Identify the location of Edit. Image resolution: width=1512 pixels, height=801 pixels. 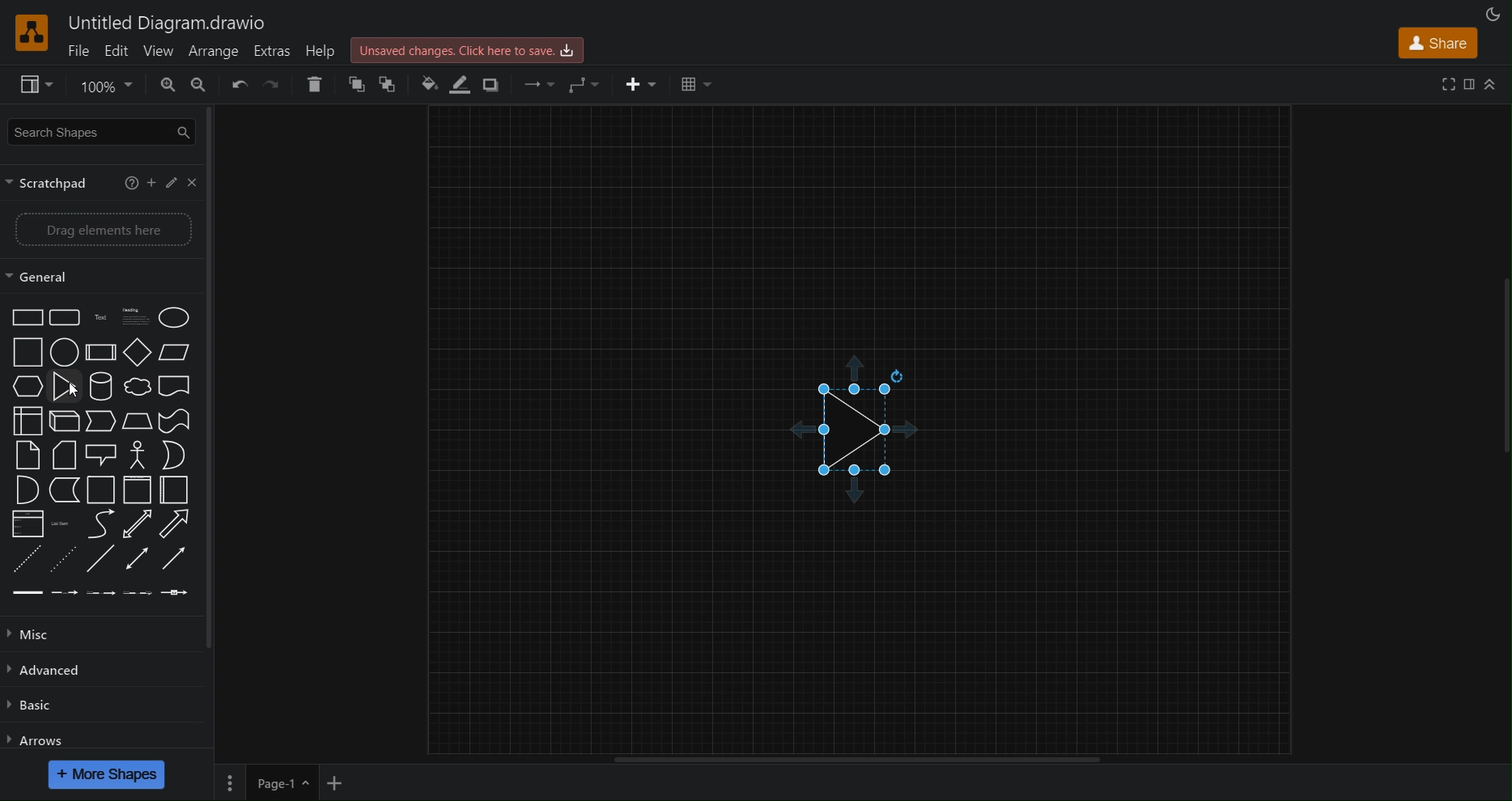
(117, 48).